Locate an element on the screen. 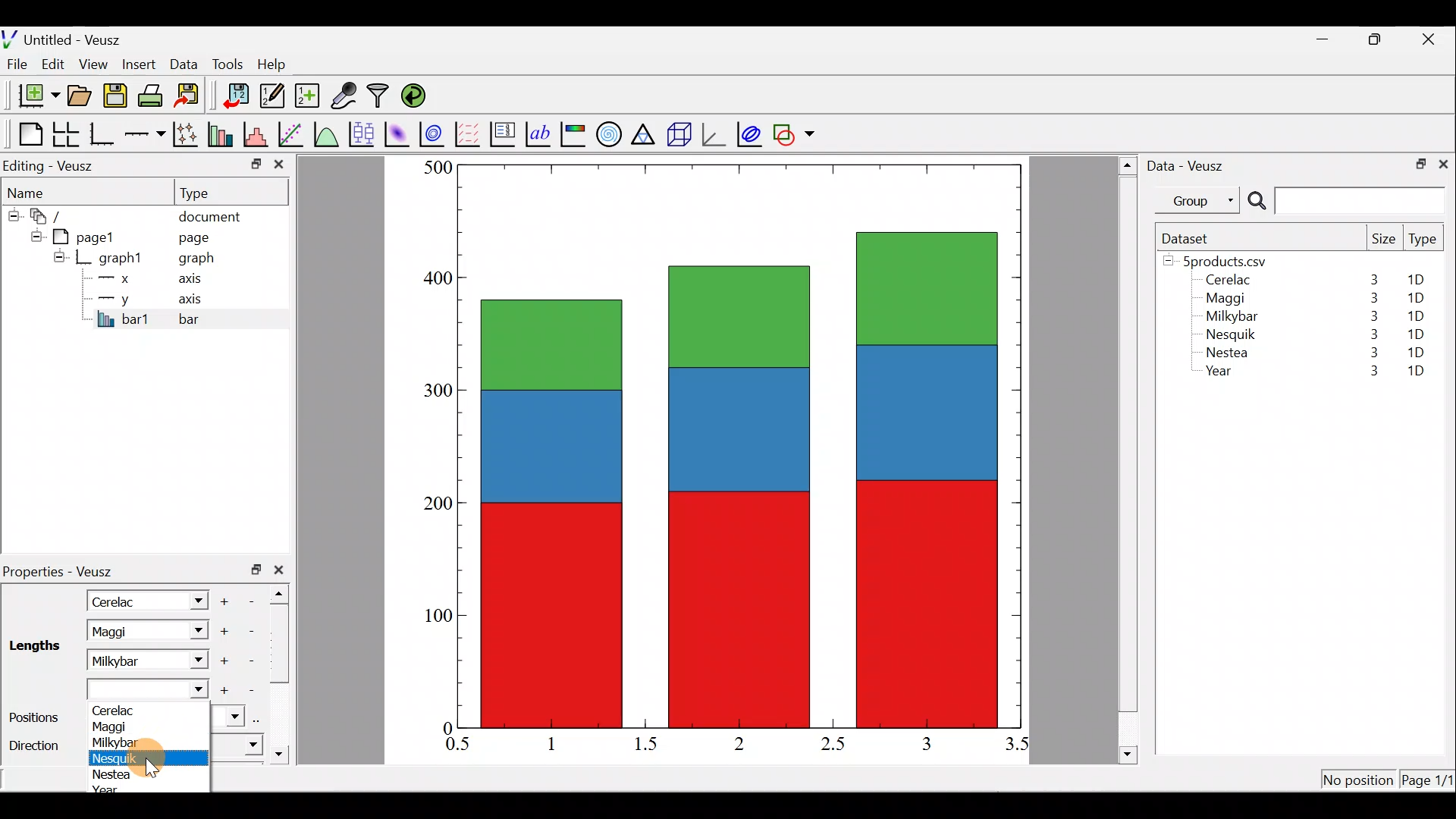 This screenshot has height=819, width=1456. Print the document is located at coordinates (155, 95).